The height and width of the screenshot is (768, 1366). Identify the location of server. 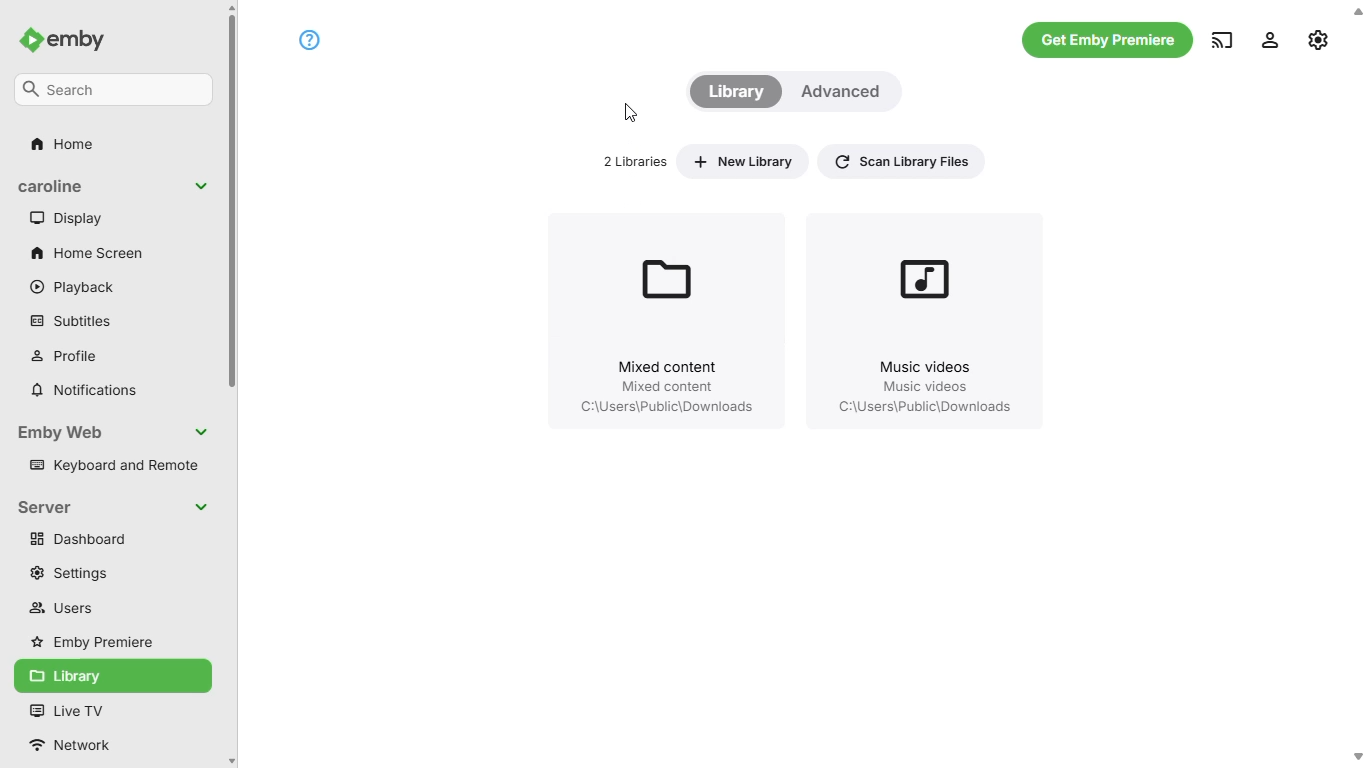
(114, 507).